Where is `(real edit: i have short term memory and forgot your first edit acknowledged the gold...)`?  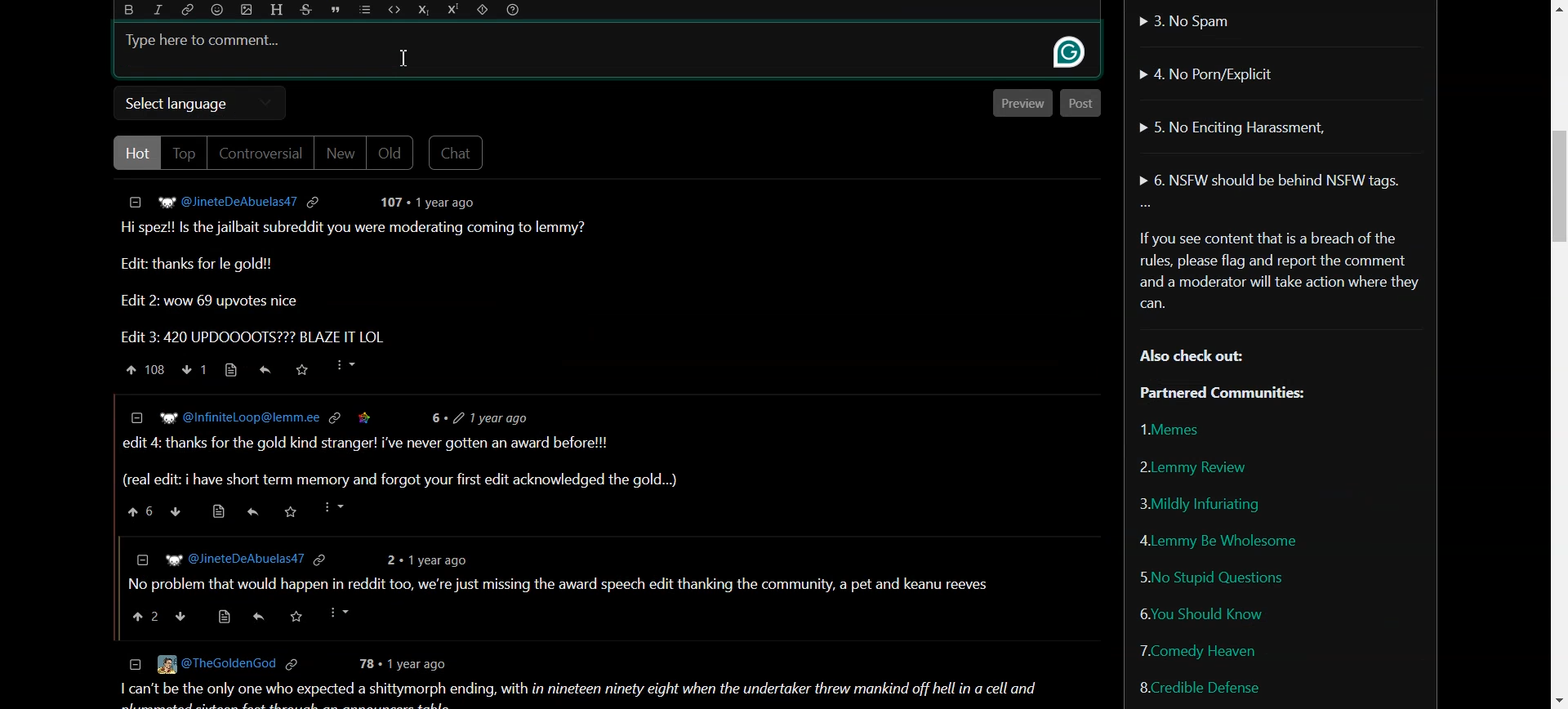 (real edit: i have short term memory and forgot your first edit acknowledged the gold...) is located at coordinates (403, 481).